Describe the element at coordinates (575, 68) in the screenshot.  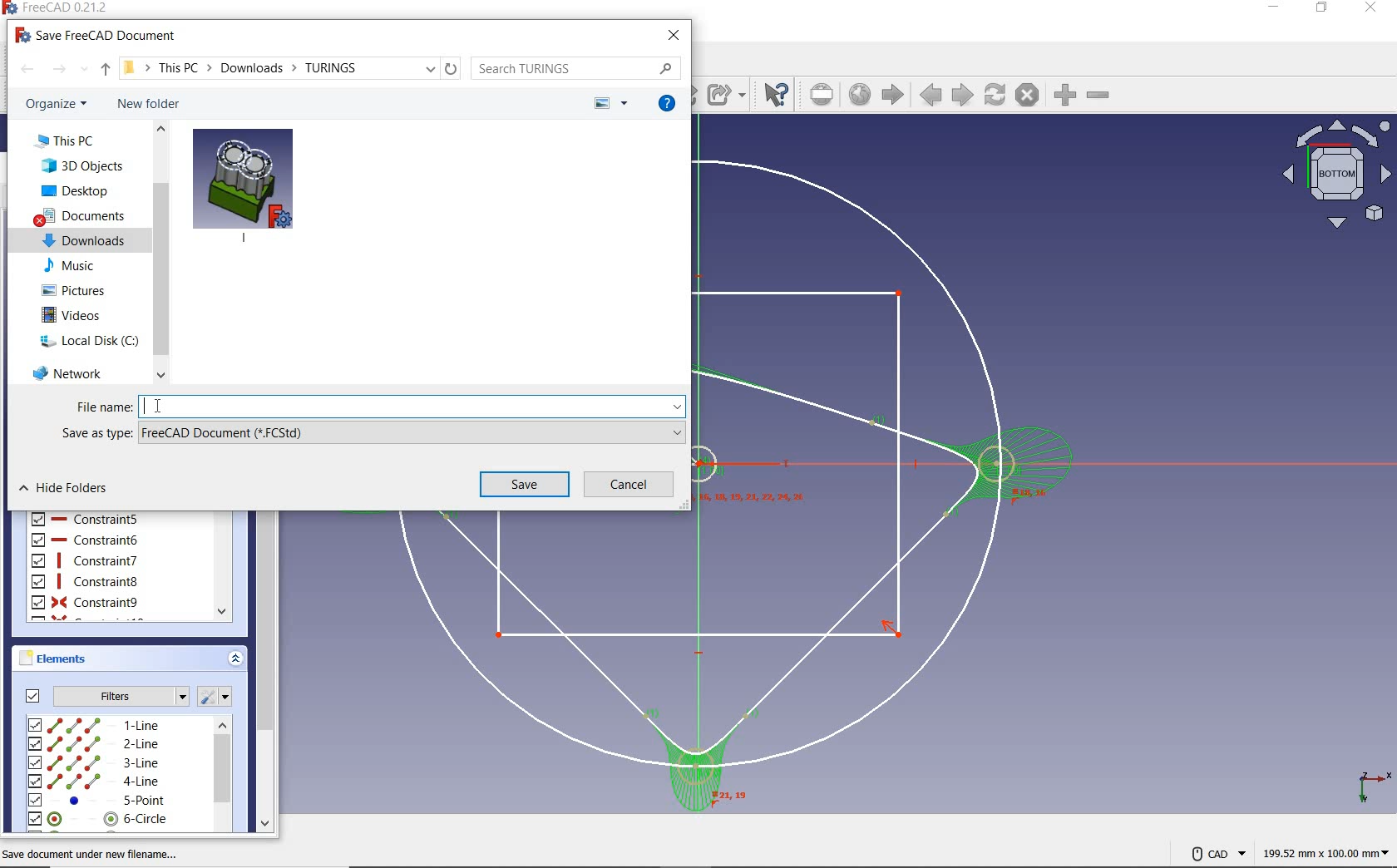
I see `search TURINGS` at that location.